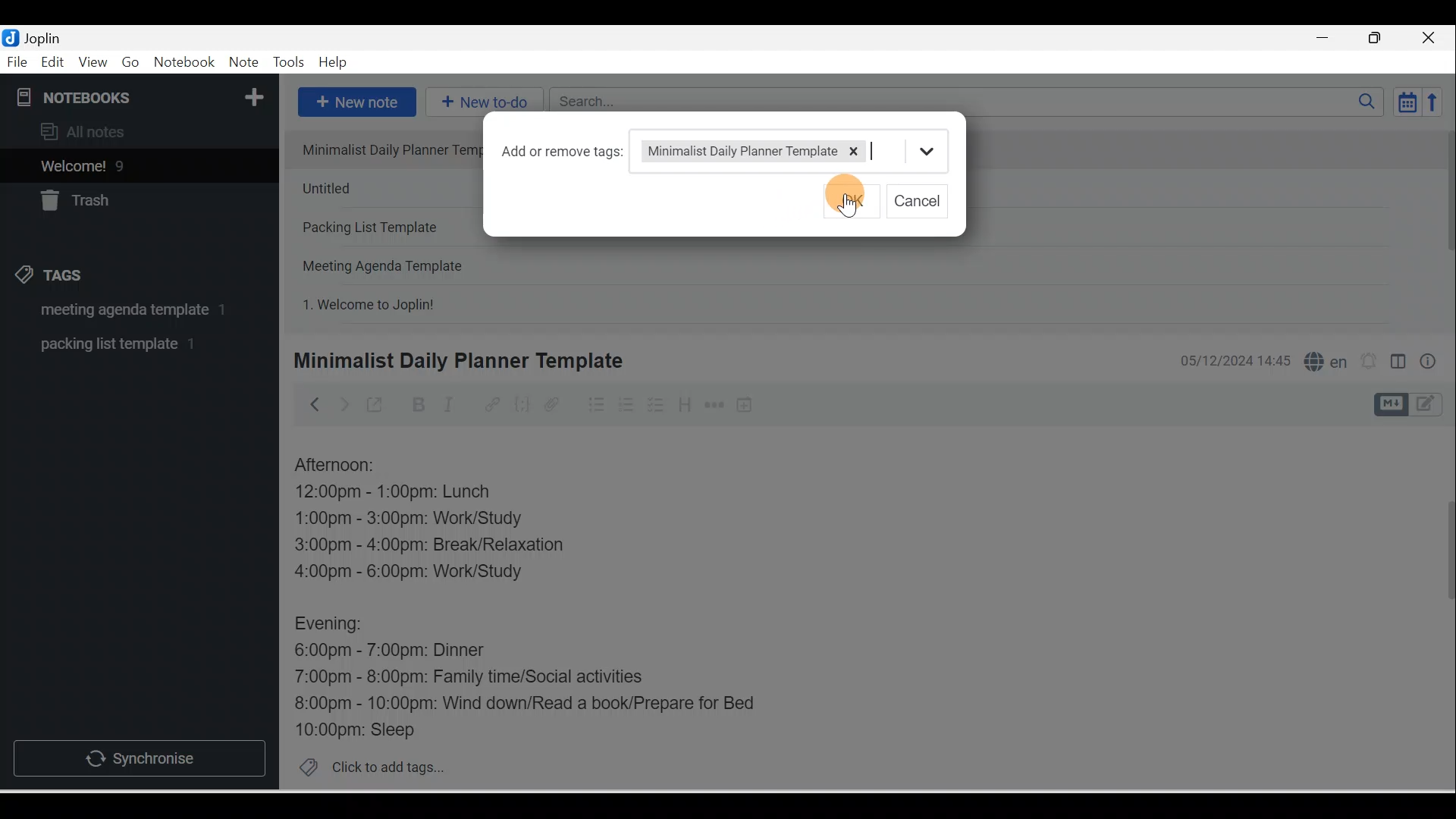 Image resolution: width=1456 pixels, height=819 pixels. Describe the element at coordinates (626, 404) in the screenshot. I see `Numbered list` at that location.